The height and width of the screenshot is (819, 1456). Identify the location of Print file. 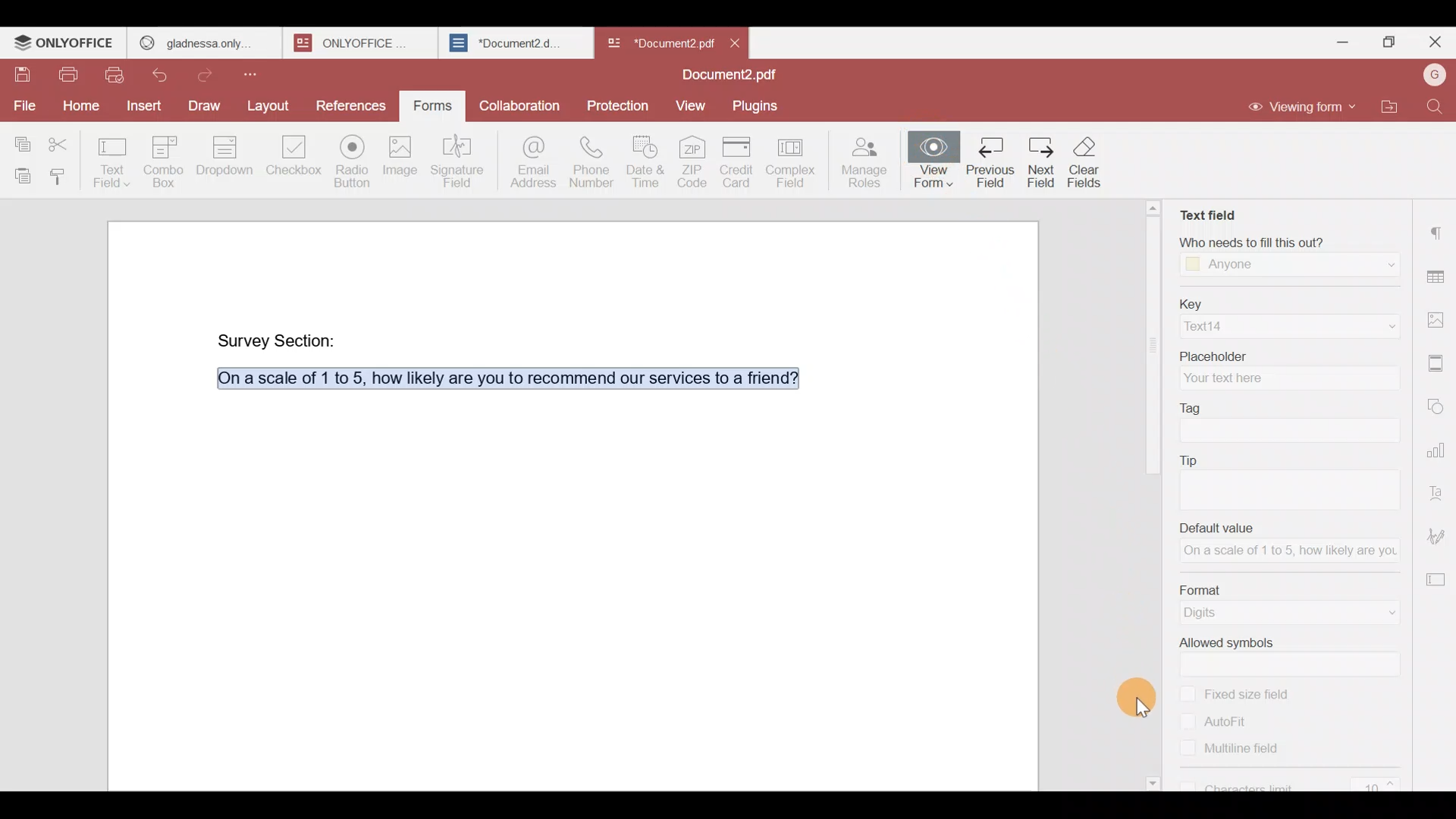
(63, 71).